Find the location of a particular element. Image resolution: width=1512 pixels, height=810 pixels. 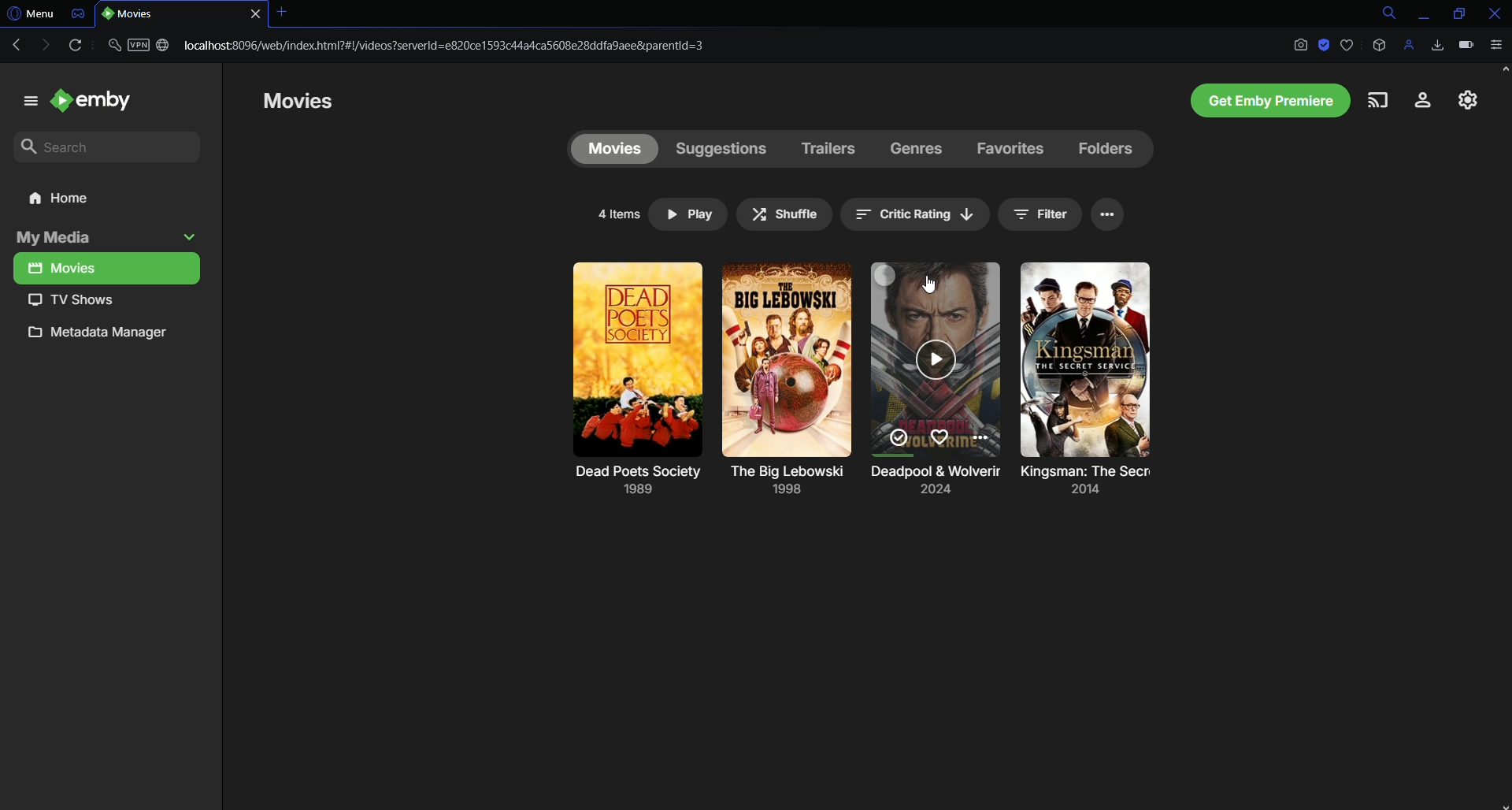

Trailers is located at coordinates (827, 147).